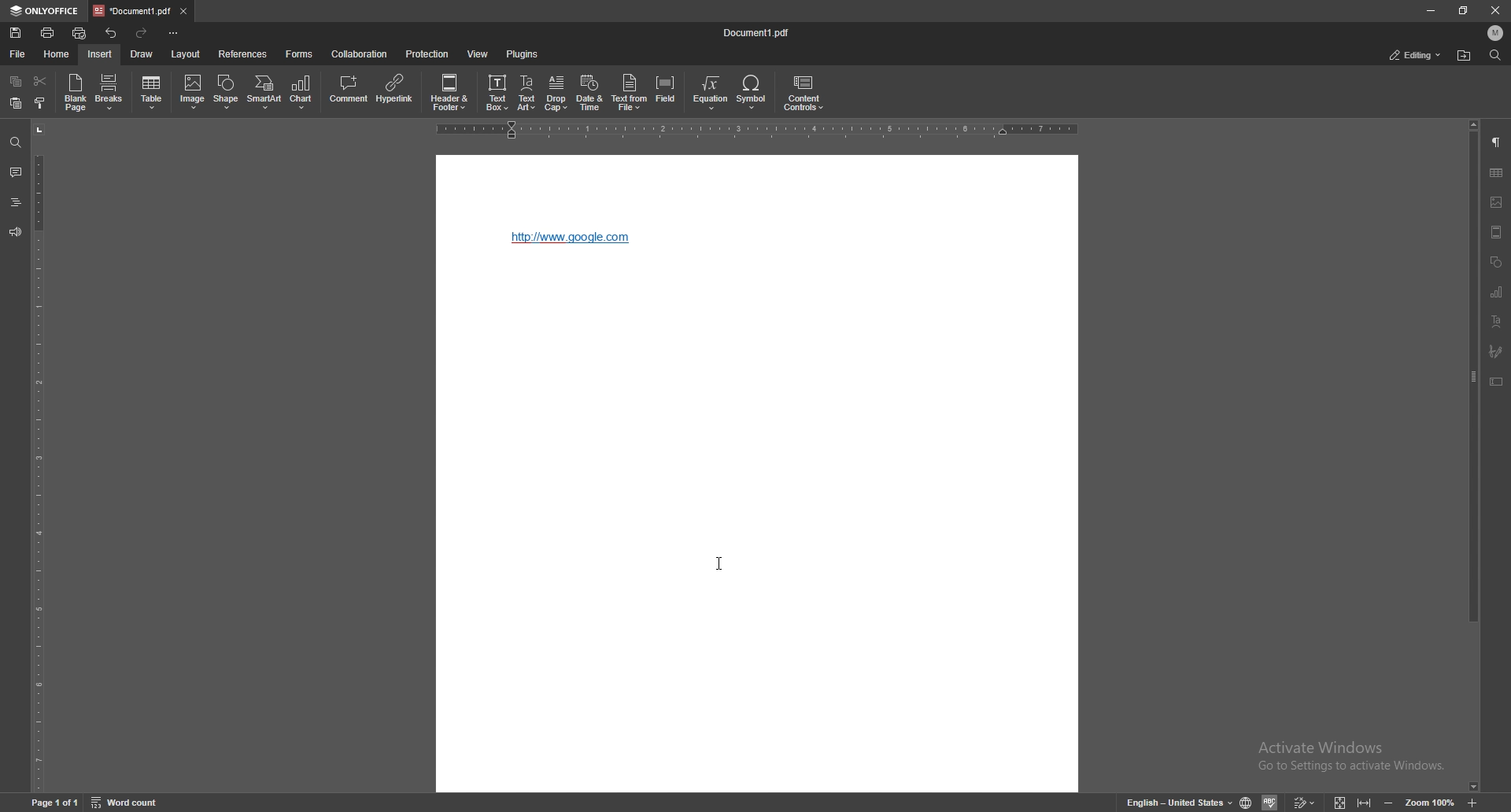 The height and width of the screenshot is (812, 1511). Describe the element at coordinates (17, 80) in the screenshot. I see `copy` at that location.